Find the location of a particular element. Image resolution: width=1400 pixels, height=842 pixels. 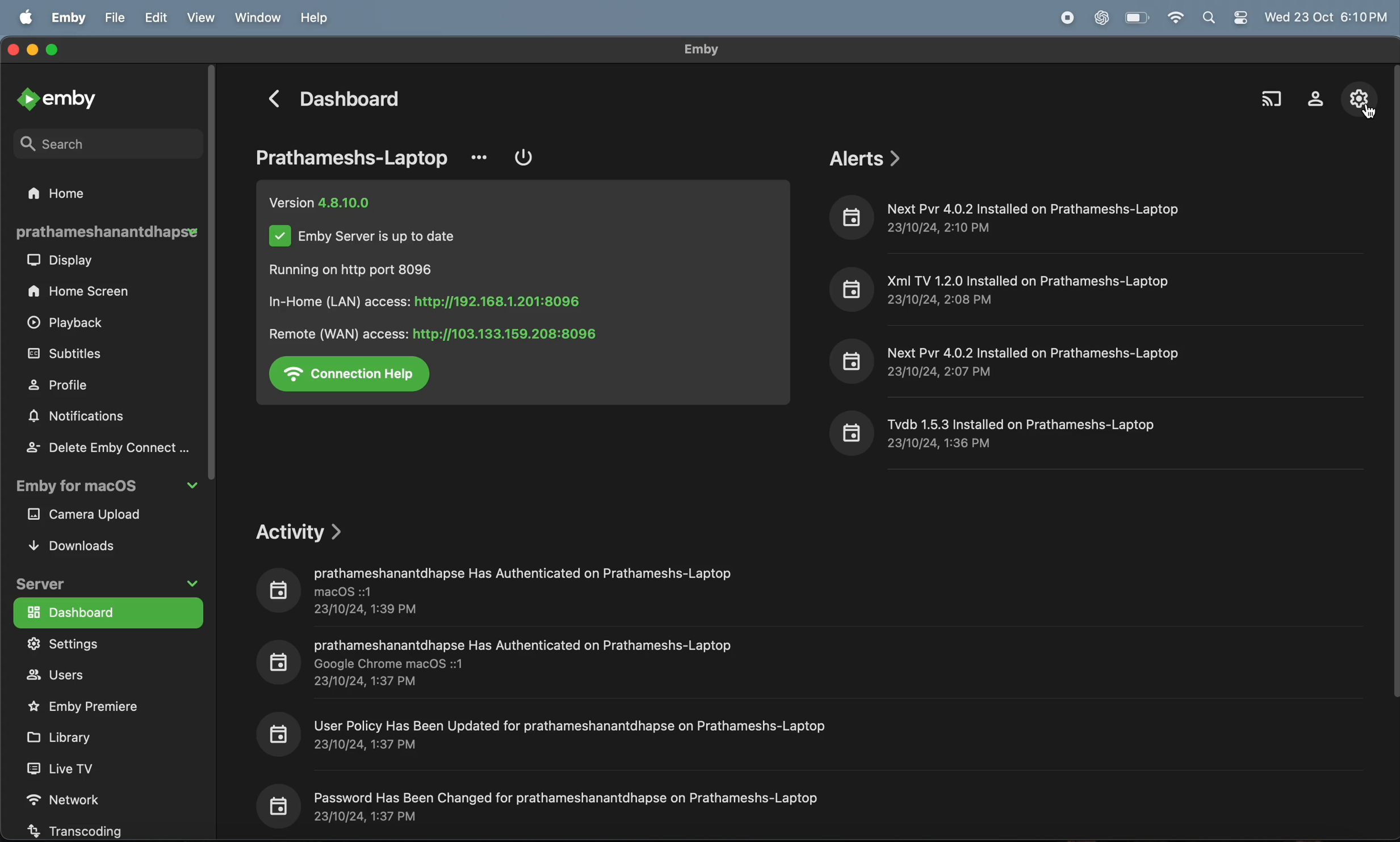

libraray is located at coordinates (87, 738).